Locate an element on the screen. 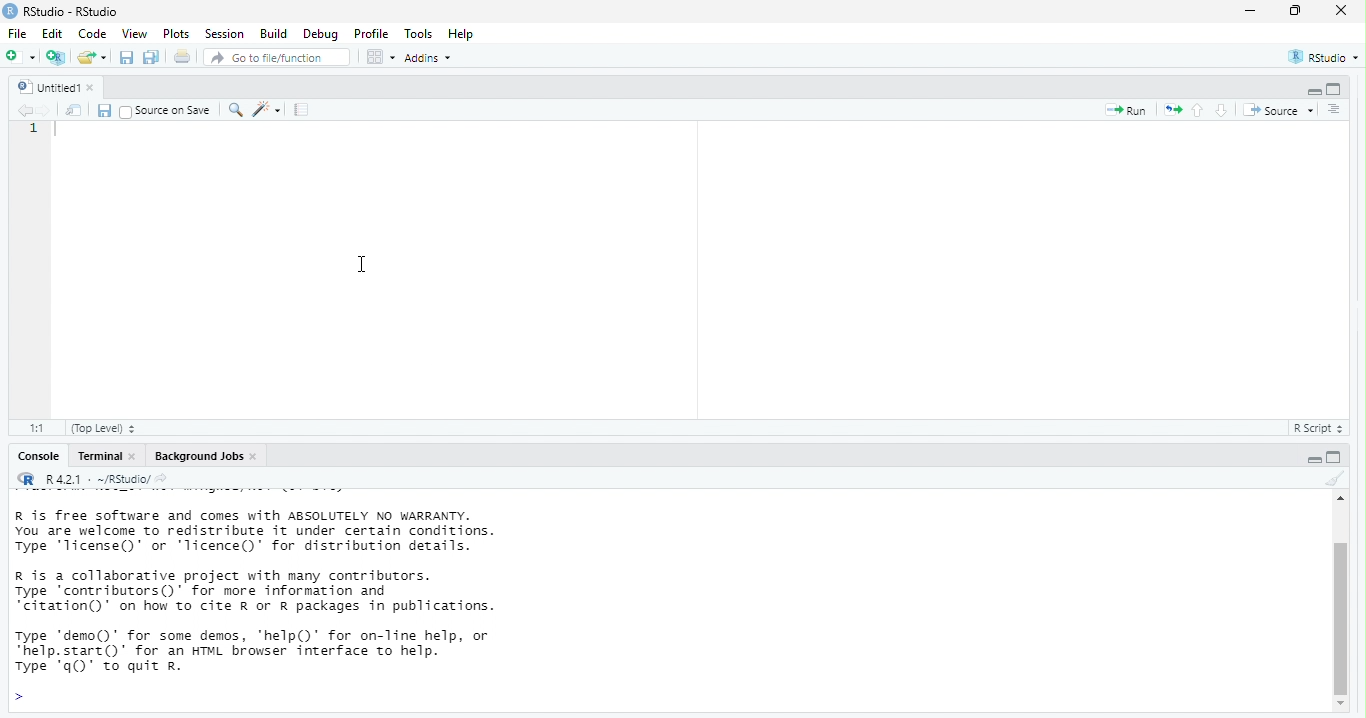 The height and width of the screenshot is (718, 1366). information about contributors is located at coordinates (260, 645).